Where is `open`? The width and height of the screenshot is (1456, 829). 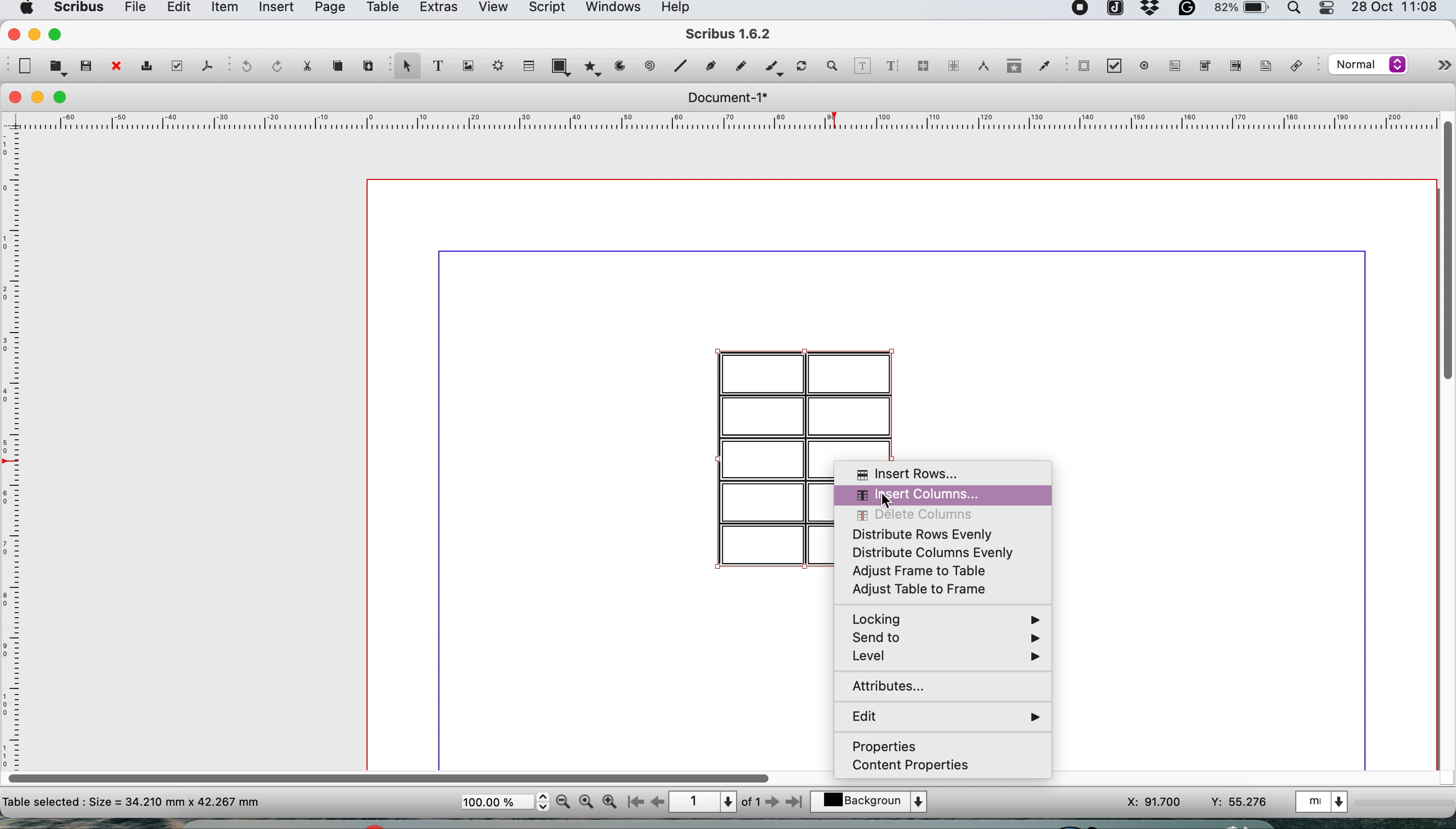
open is located at coordinates (58, 67).